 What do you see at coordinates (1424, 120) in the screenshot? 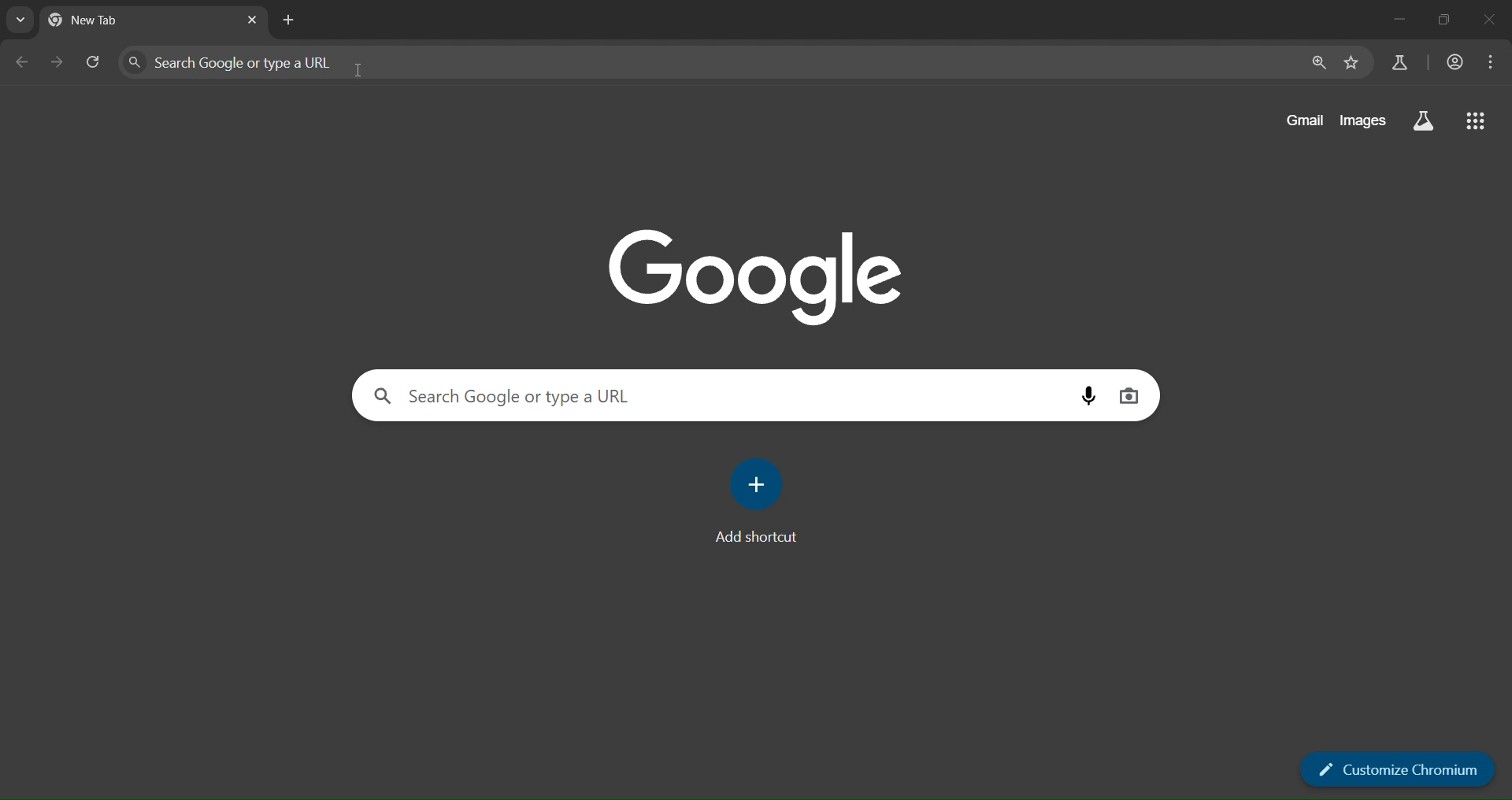
I see `search labs` at bounding box center [1424, 120].